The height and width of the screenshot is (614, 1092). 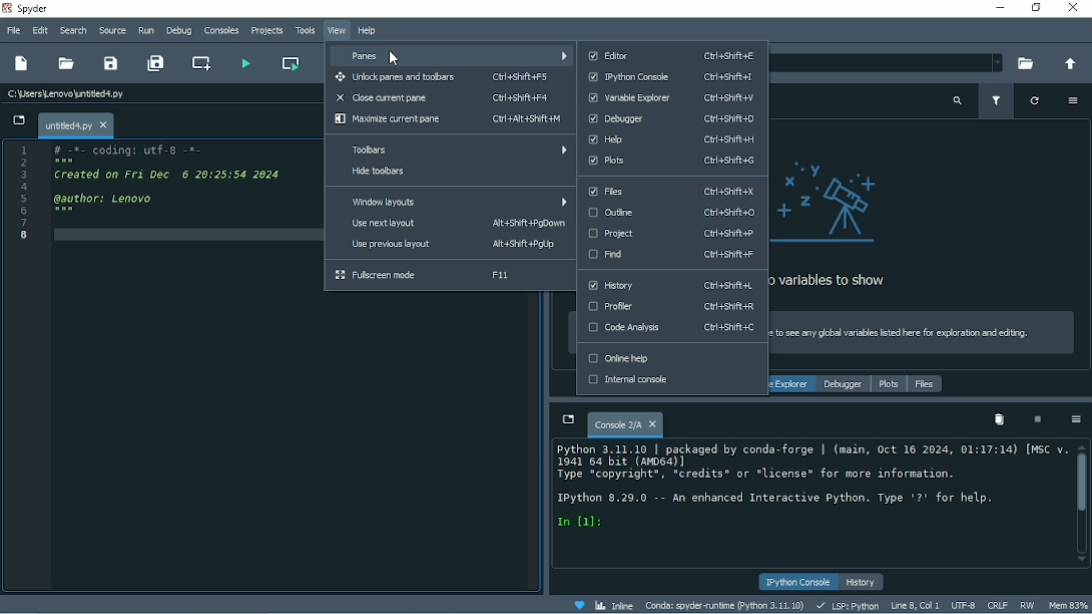 I want to click on History, so click(x=862, y=582).